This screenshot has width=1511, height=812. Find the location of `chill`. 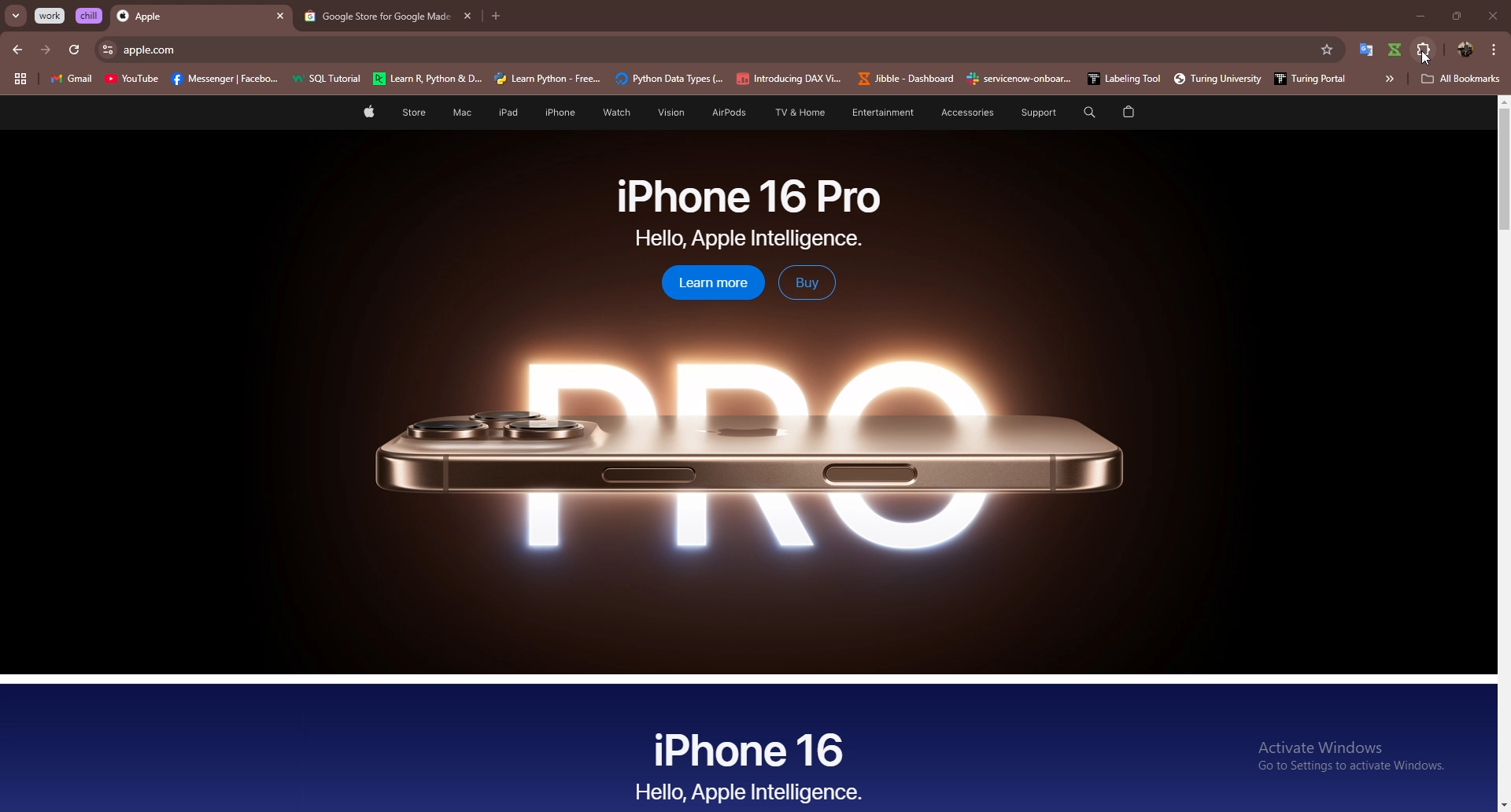

chill is located at coordinates (91, 15).